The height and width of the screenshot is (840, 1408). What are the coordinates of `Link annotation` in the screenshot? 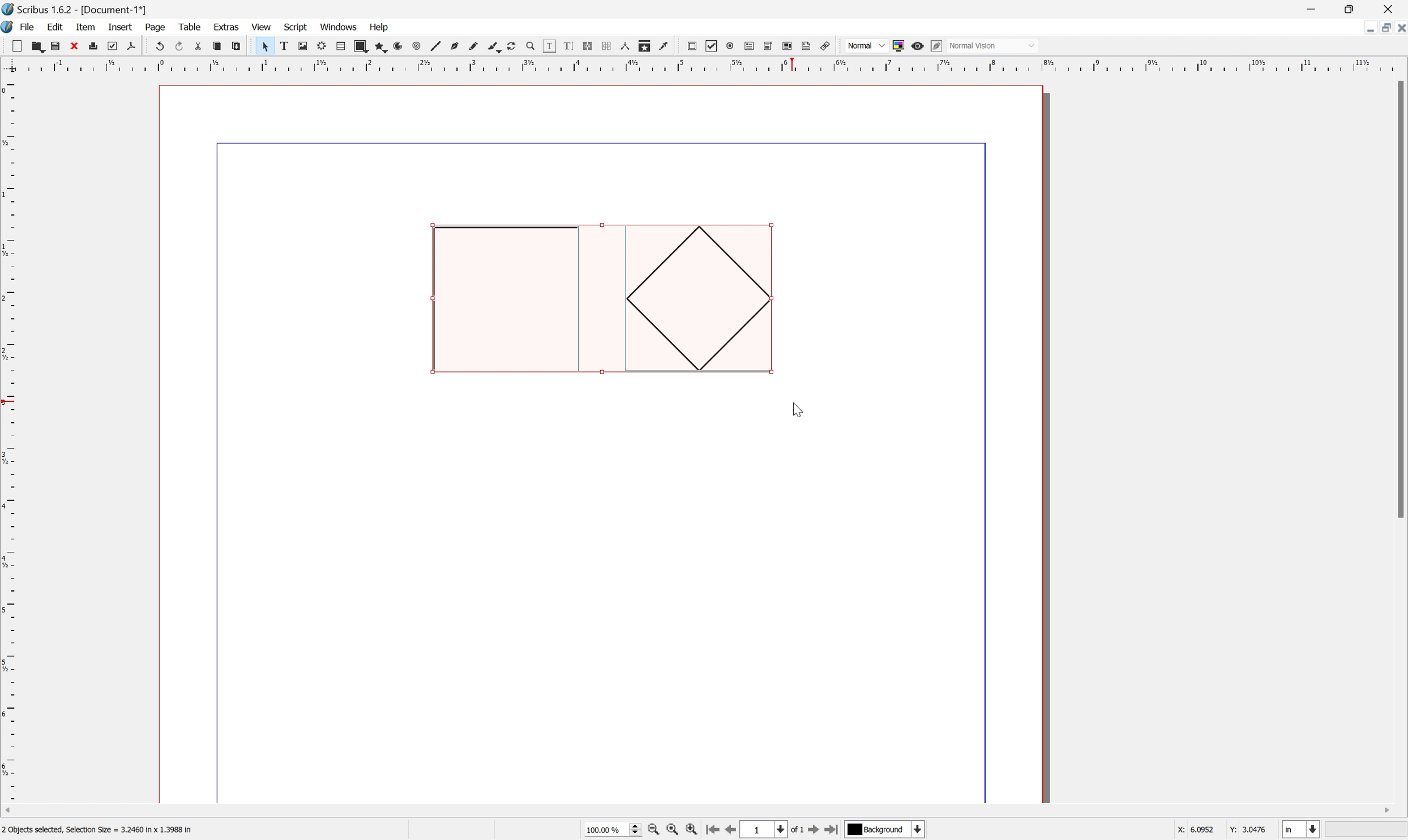 It's located at (826, 46).